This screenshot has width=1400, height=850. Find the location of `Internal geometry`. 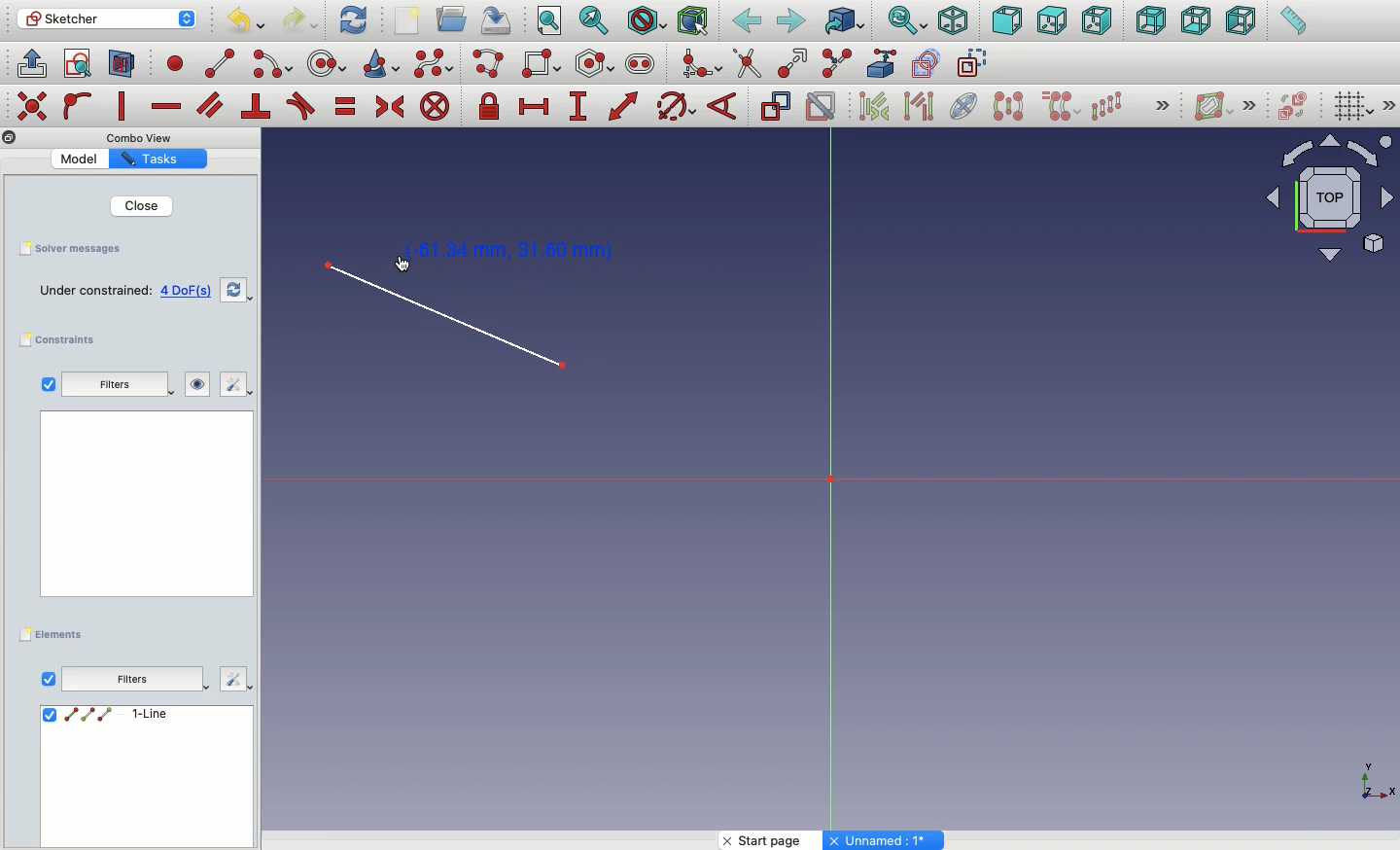

Internal geometry is located at coordinates (965, 105).